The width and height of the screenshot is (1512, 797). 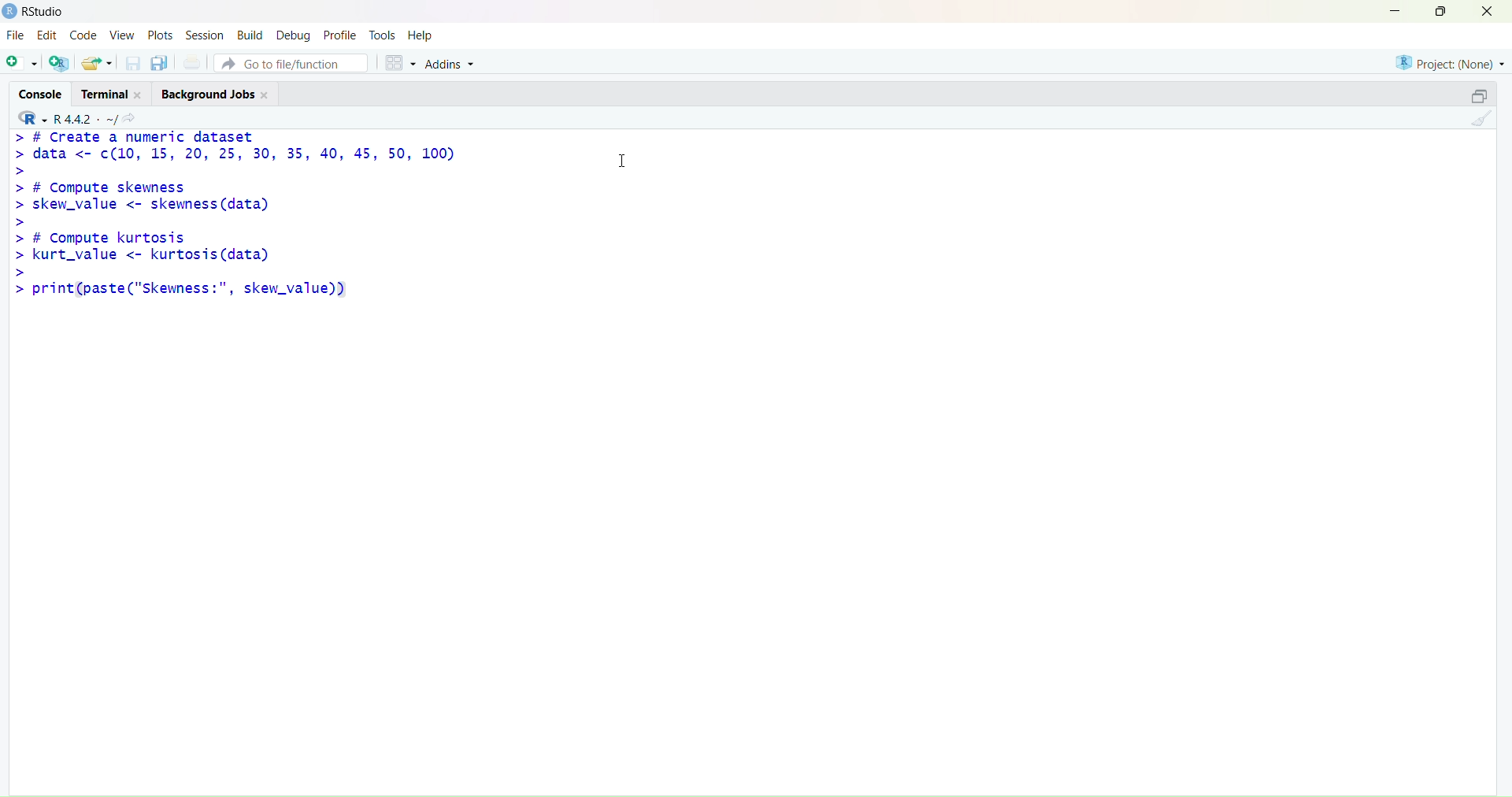 What do you see at coordinates (191, 63) in the screenshot?
I see `Print the current file` at bounding box center [191, 63].